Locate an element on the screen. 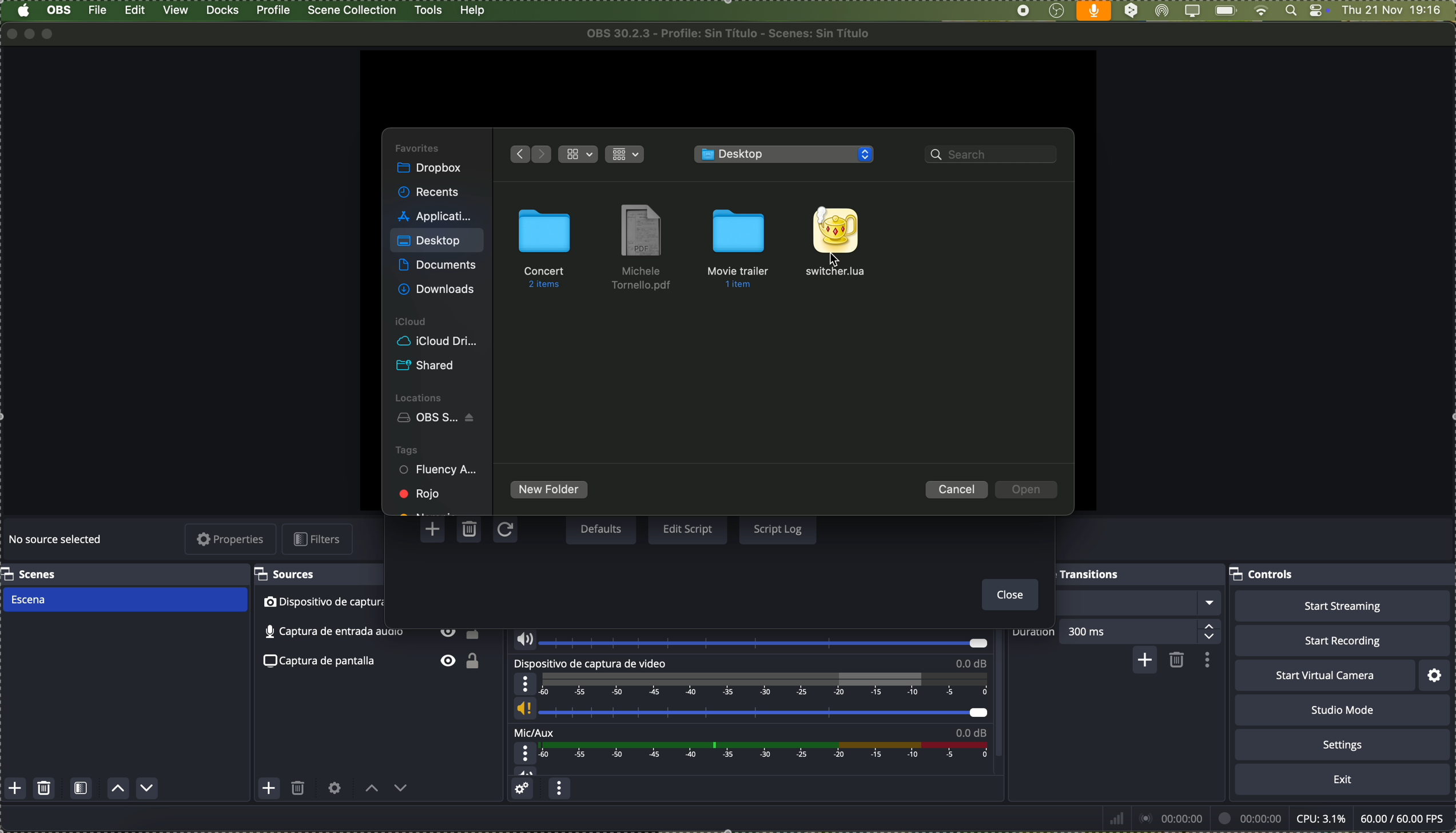 This screenshot has height=833, width=1456. exit is located at coordinates (1343, 780).